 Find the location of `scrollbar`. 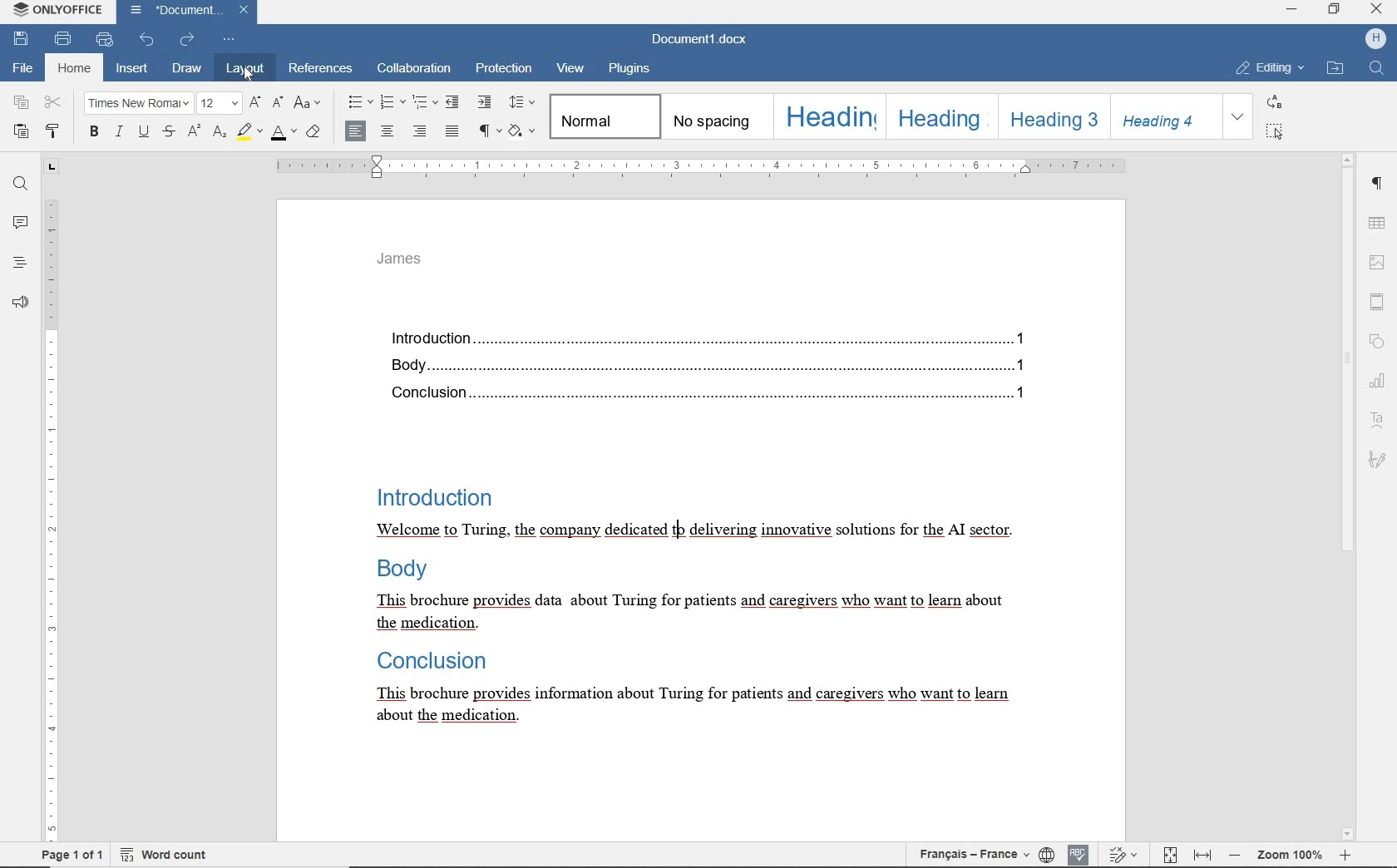

scrollbar is located at coordinates (1346, 496).